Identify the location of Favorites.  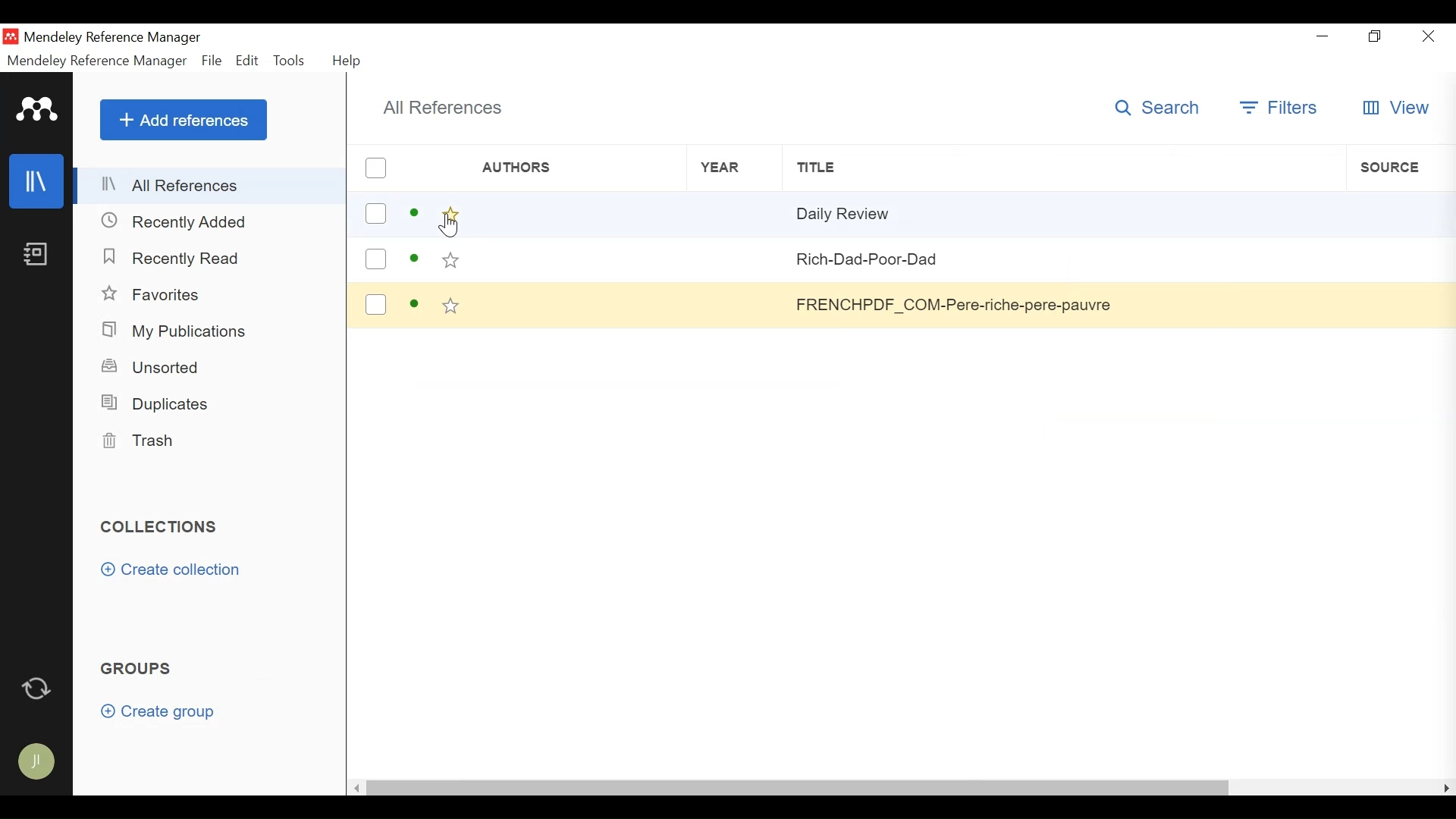
(154, 295).